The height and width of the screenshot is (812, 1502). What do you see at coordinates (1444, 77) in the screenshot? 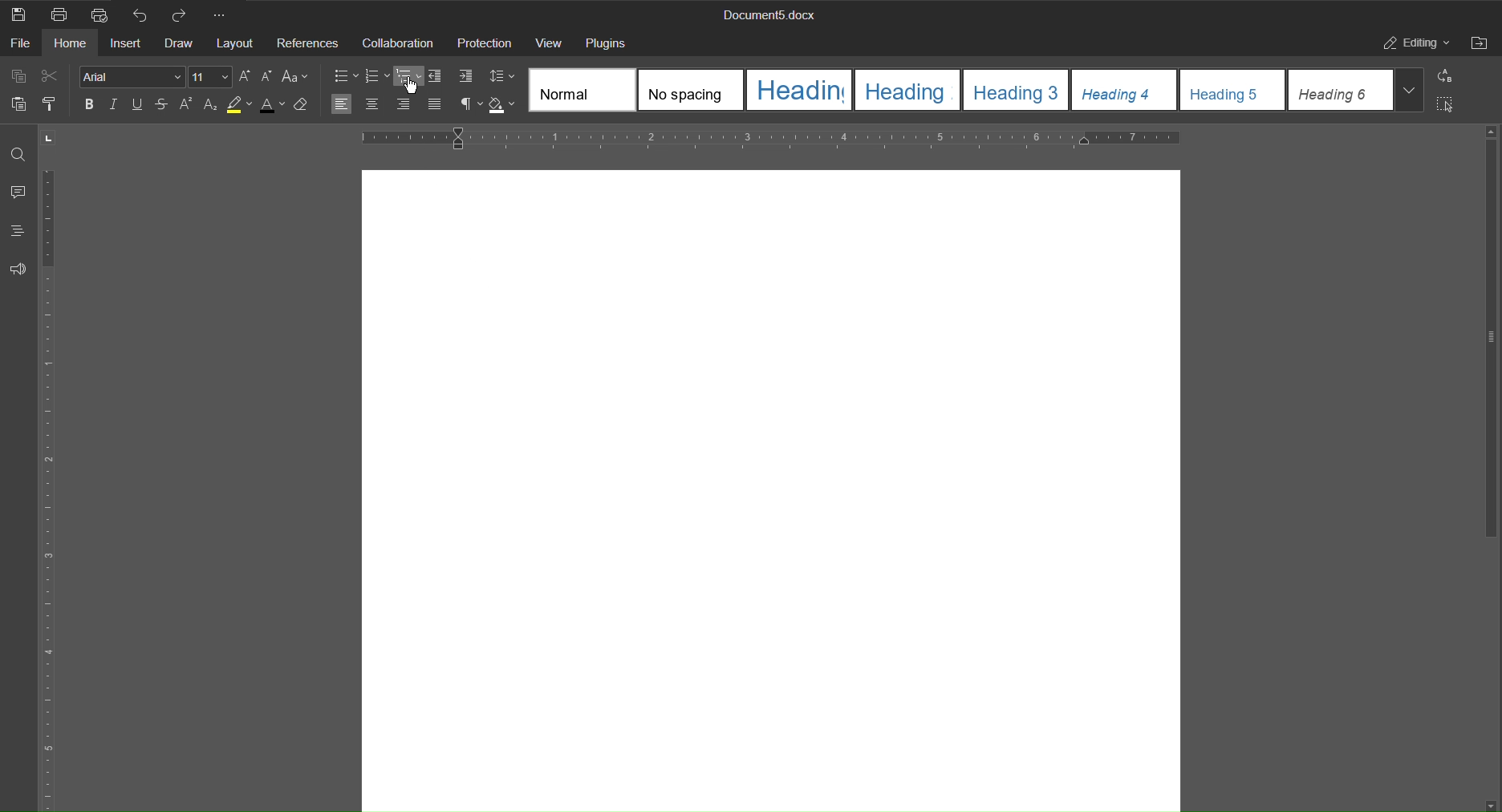
I see `Replace` at bounding box center [1444, 77].